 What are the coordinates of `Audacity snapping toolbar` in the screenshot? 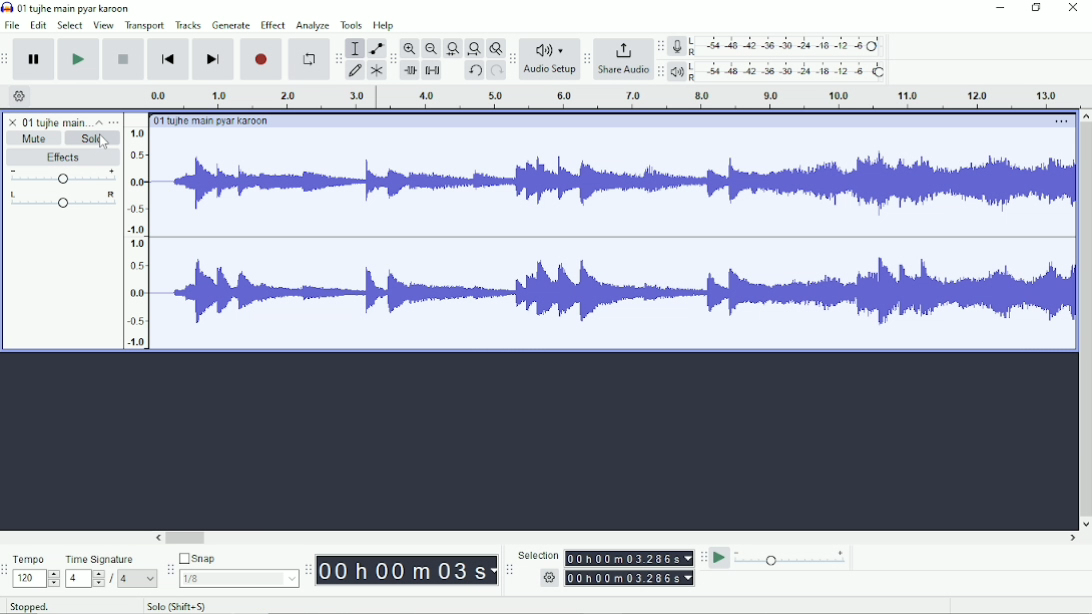 It's located at (170, 570).